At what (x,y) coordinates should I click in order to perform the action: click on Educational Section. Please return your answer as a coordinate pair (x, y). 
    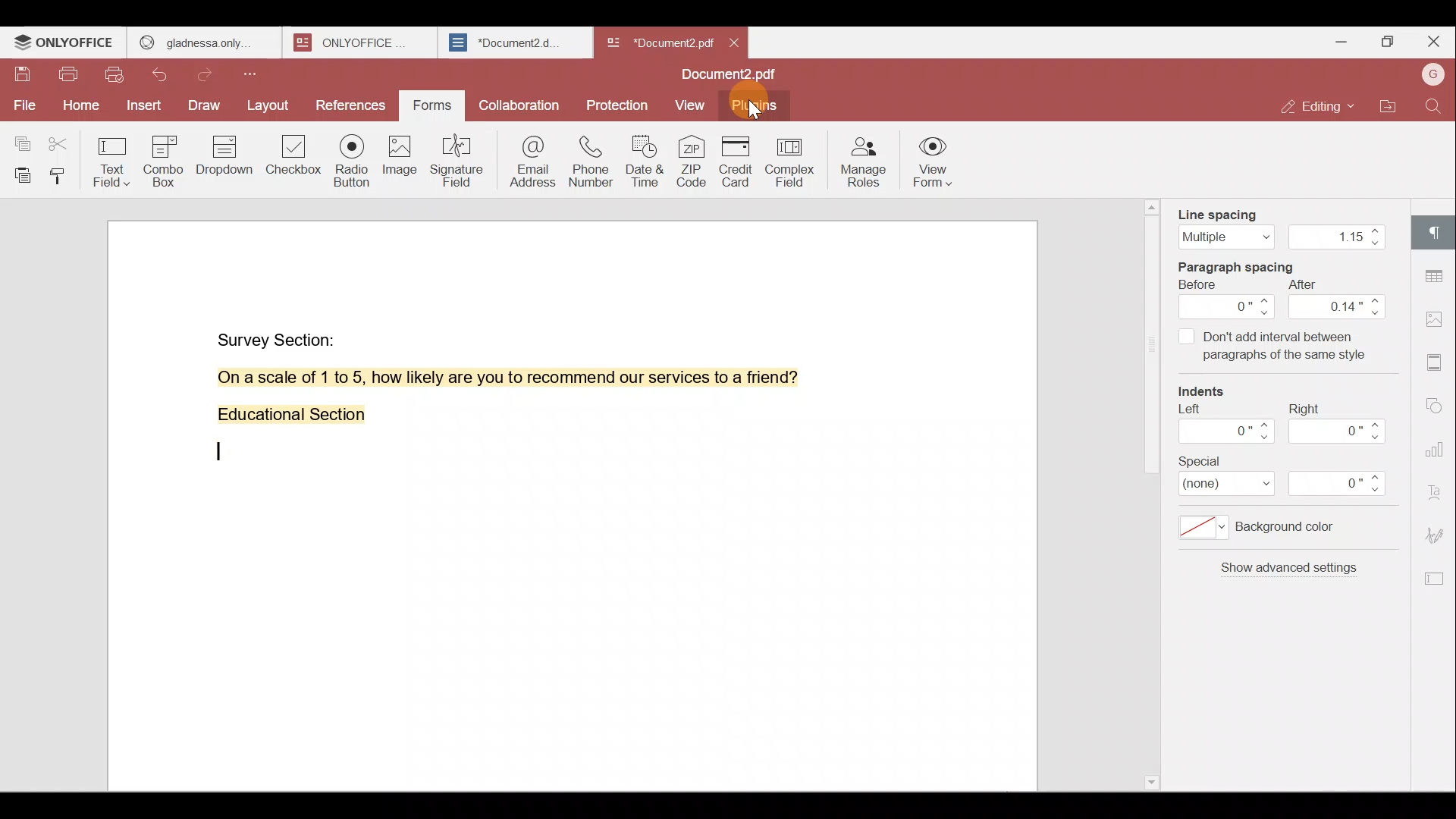
    Looking at the image, I should click on (285, 418).